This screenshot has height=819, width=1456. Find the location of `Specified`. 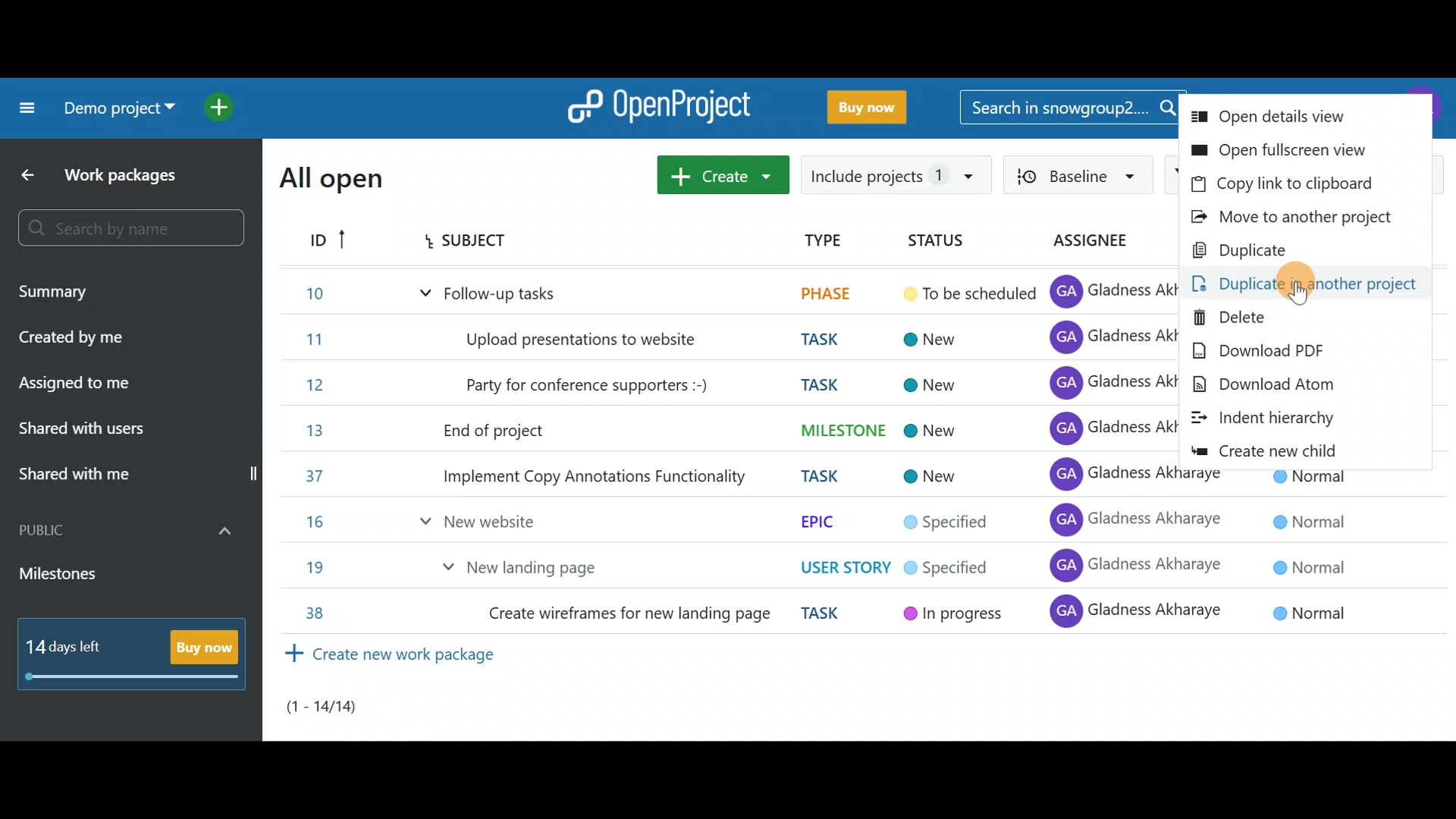

Specified is located at coordinates (949, 566).